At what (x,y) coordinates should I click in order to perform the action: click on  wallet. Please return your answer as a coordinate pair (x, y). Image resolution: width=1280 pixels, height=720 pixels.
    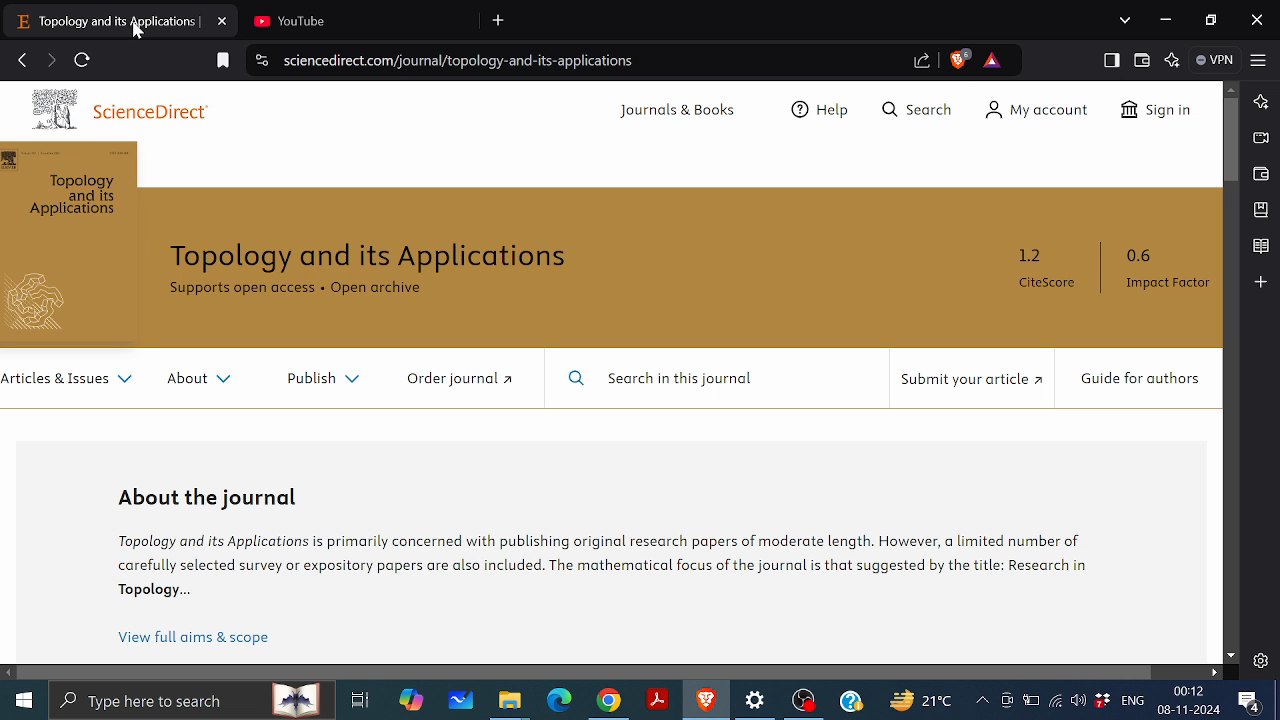
    Looking at the image, I should click on (1143, 61).